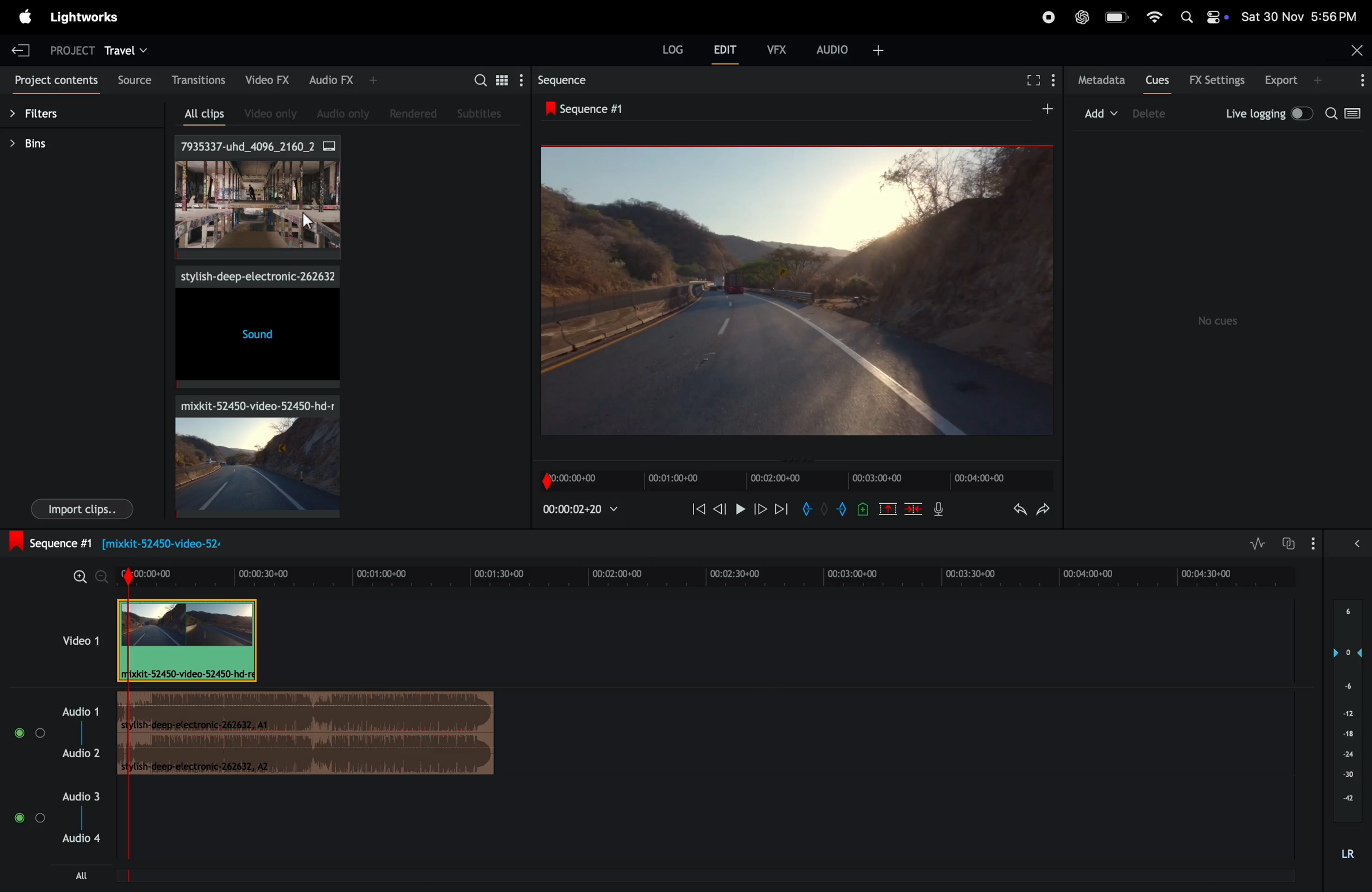 The height and width of the screenshot is (892, 1372). I want to click on sequence, so click(562, 82).